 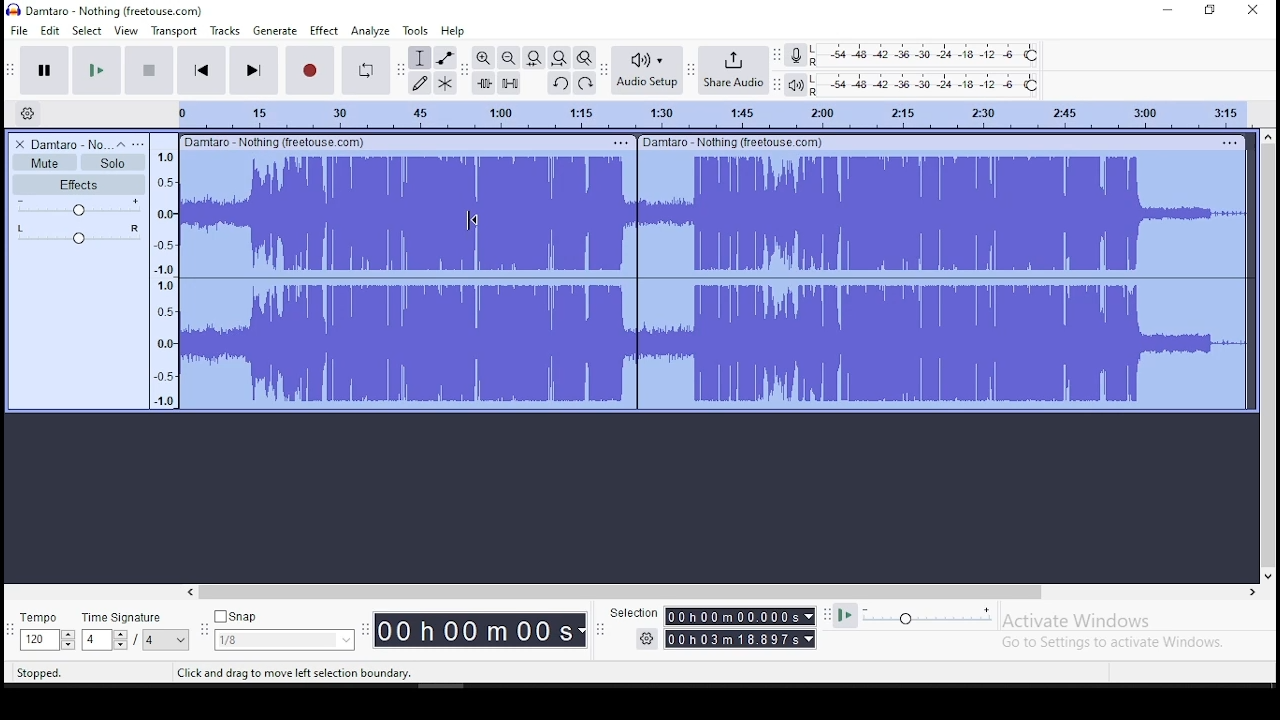 I want to click on menu, so click(x=1227, y=142).